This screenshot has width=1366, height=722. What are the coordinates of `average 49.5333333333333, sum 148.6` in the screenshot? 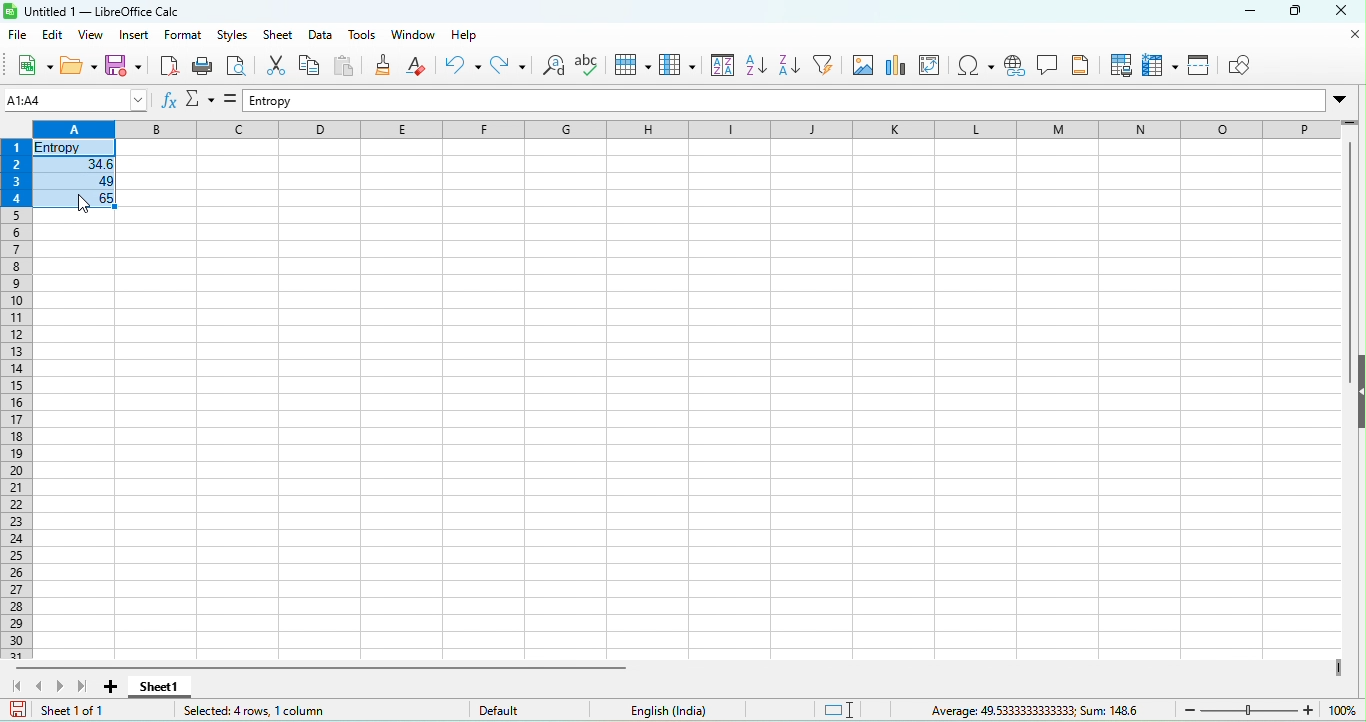 It's located at (1033, 711).